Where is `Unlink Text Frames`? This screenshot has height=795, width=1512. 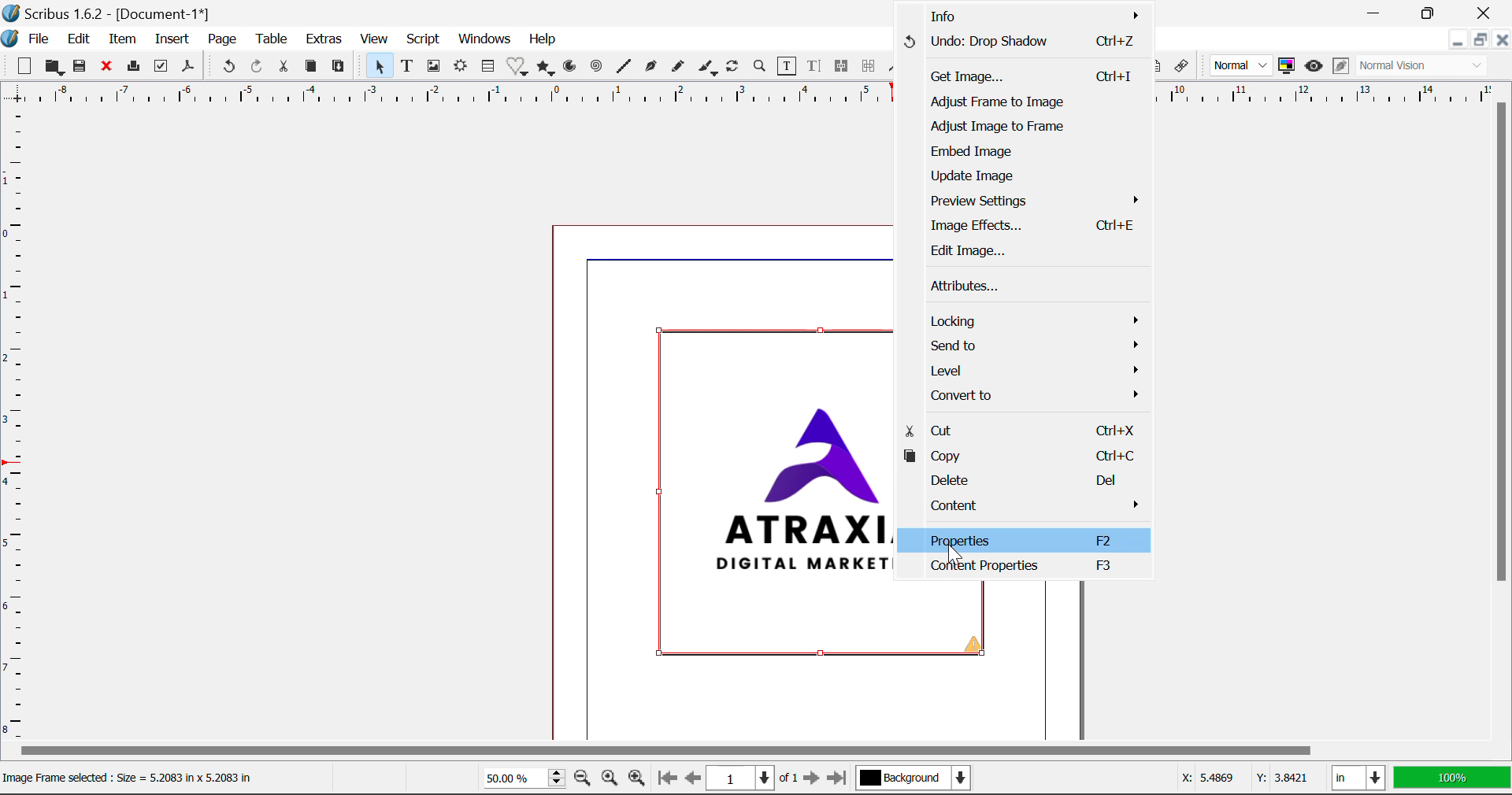 Unlink Text Frames is located at coordinates (870, 65).